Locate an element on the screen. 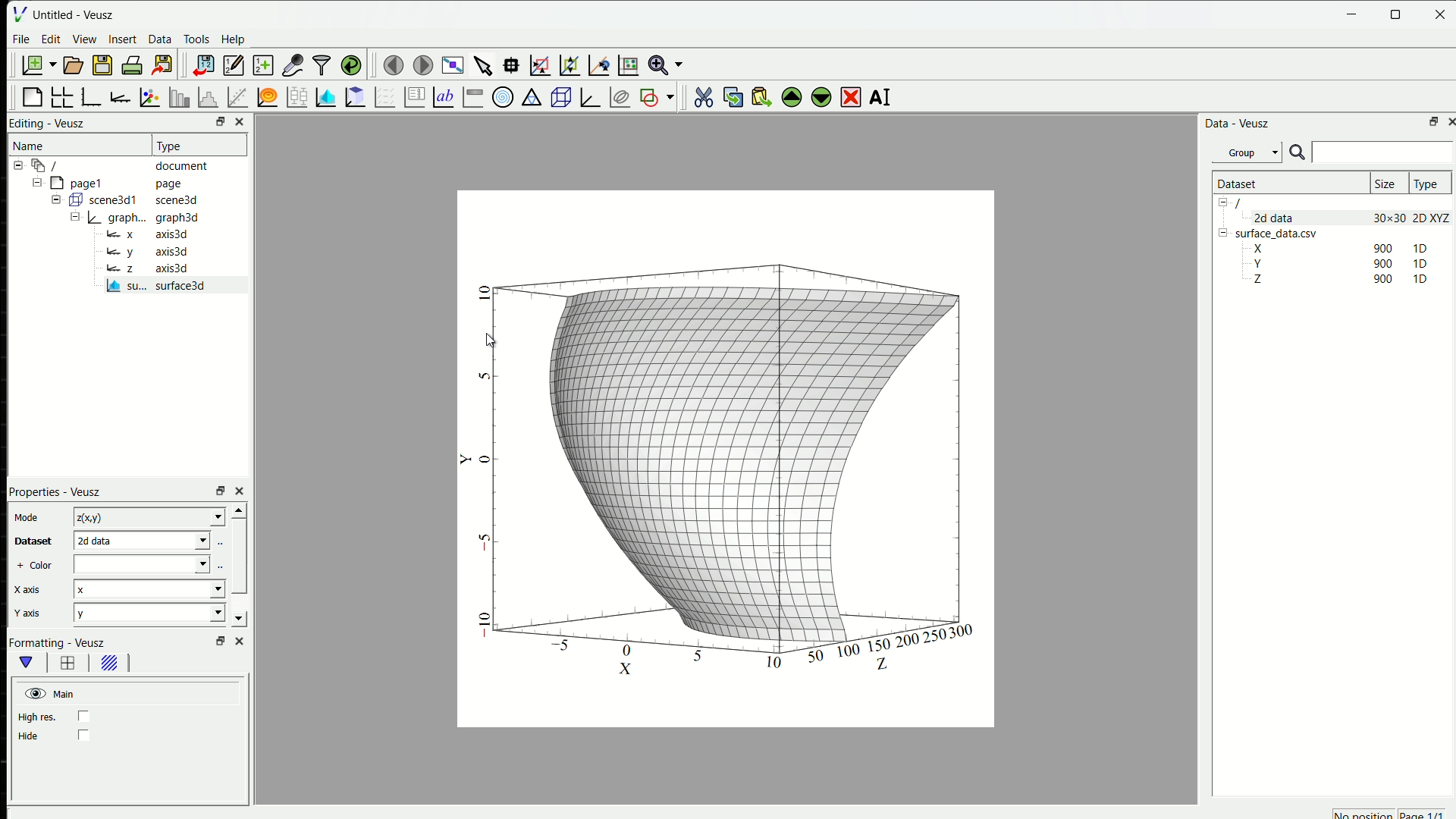 Image resolution: width=1456 pixels, height=819 pixels. Text label is located at coordinates (444, 96).